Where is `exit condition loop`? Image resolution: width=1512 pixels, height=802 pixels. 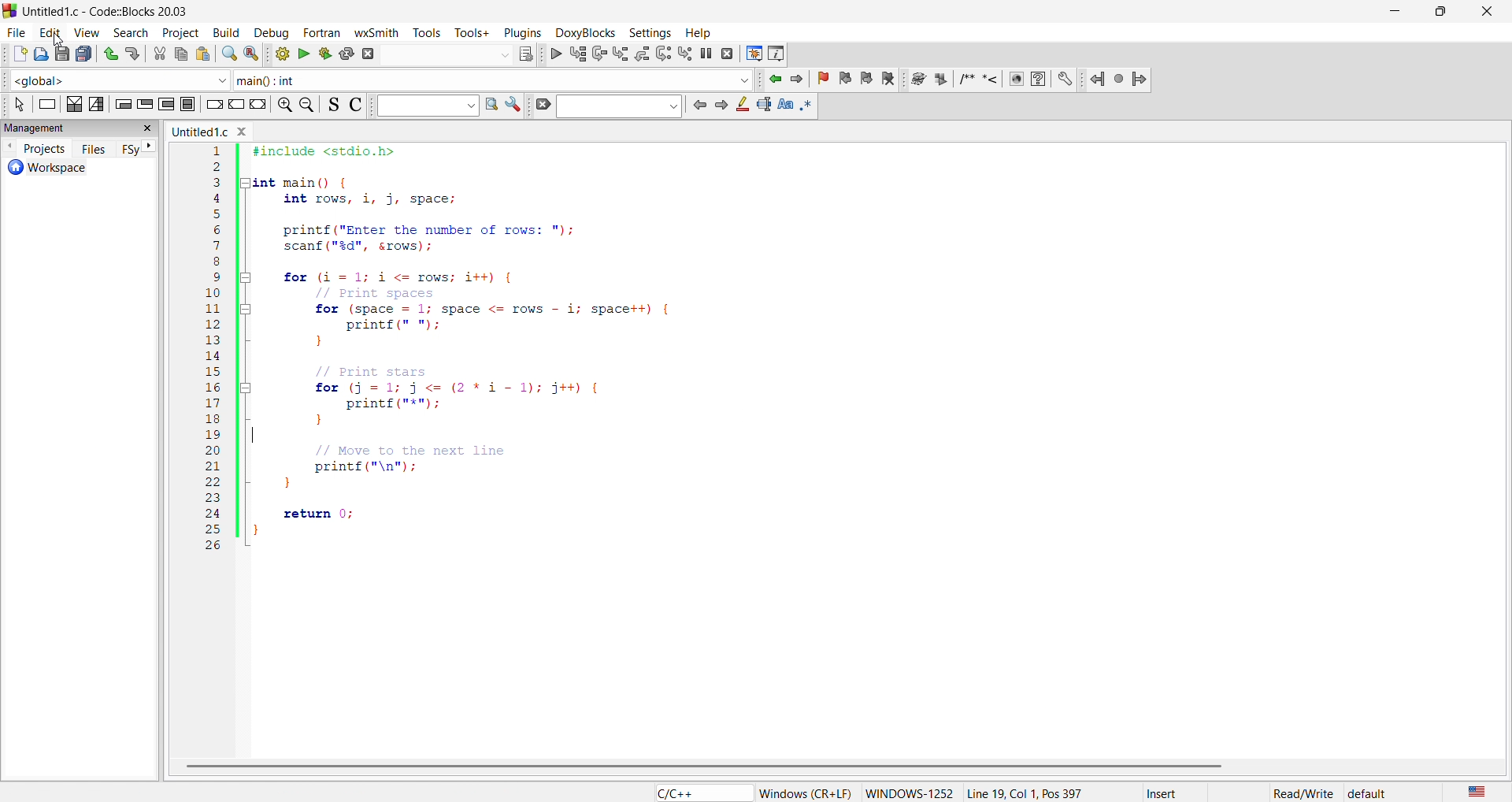
exit condition loop is located at coordinates (145, 103).